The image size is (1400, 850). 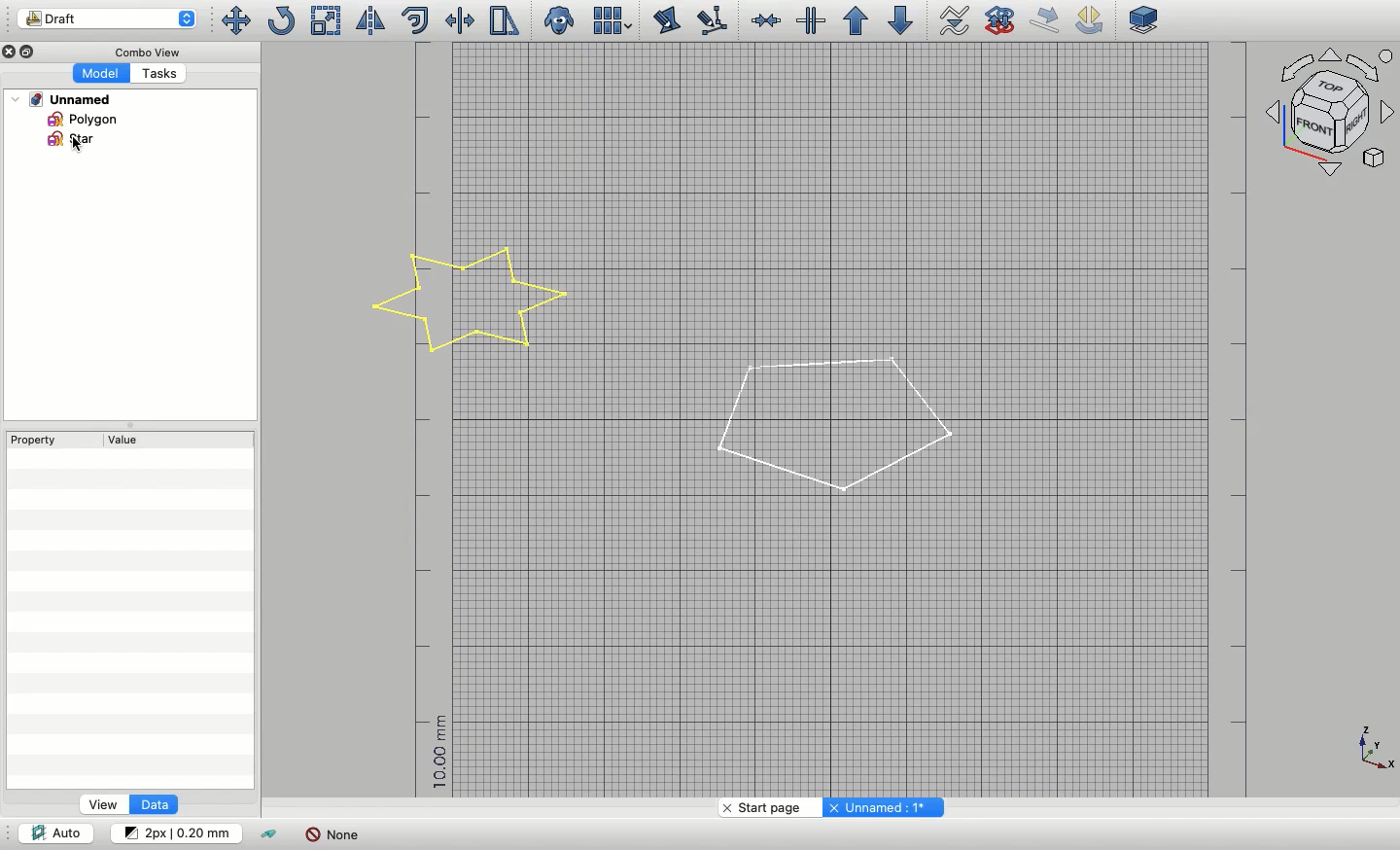 What do you see at coordinates (80, 146) in the screenshot?
I see `Cursor` at bounding box center [80, 146].